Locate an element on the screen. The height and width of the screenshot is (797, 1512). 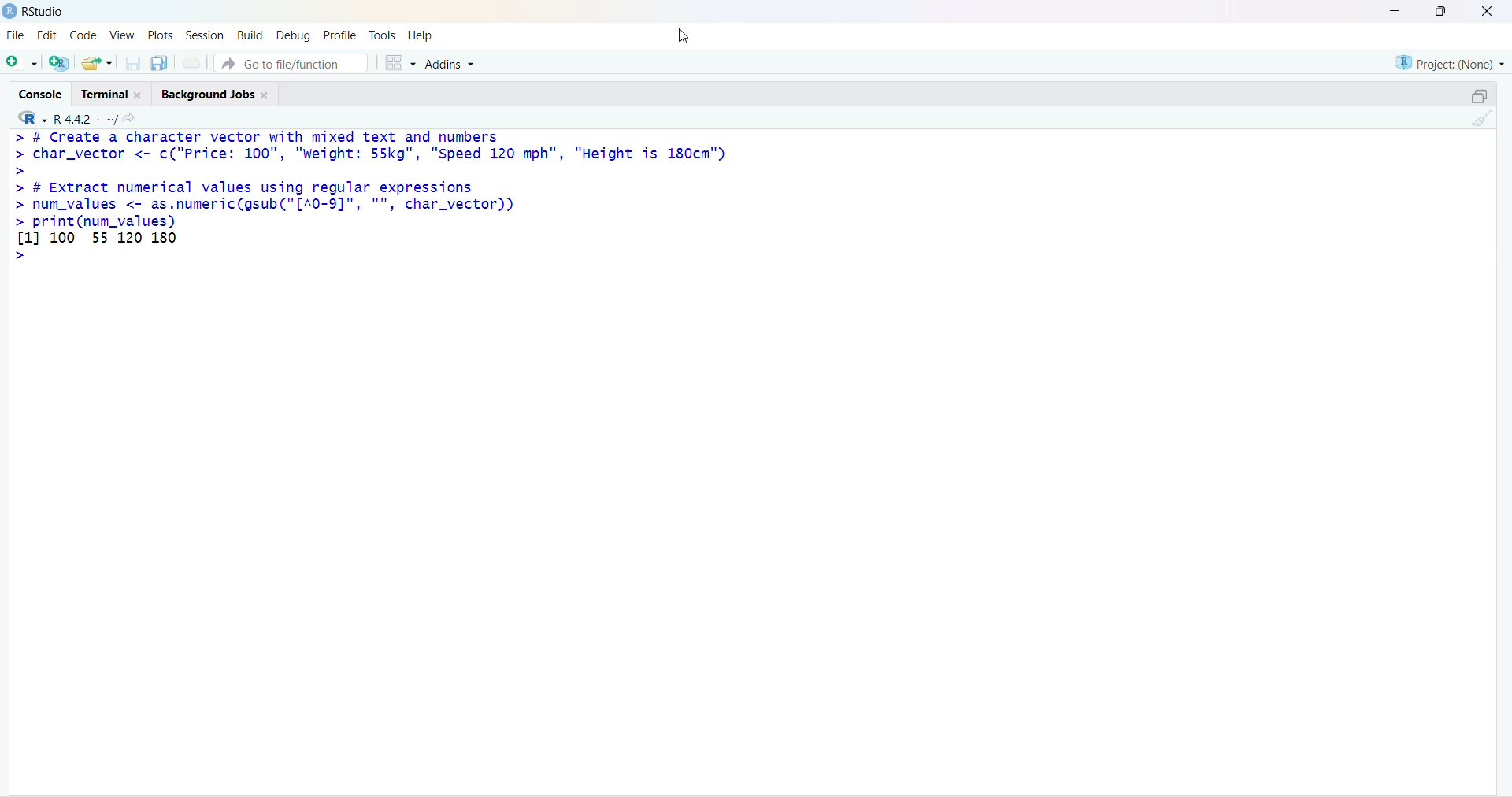
open in separate window is located at coordinates (1479, 95).